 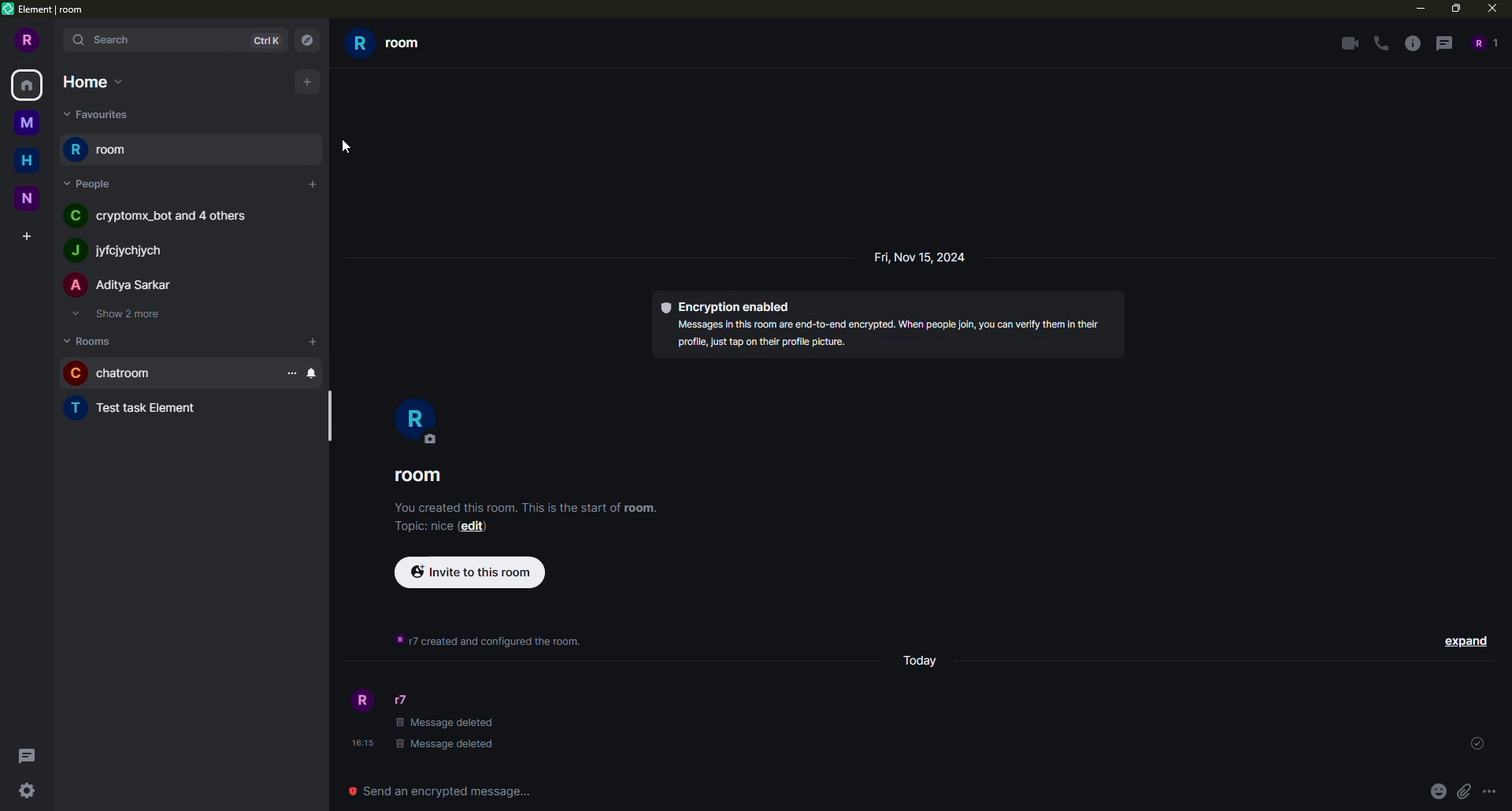 I want to click on scroll, so click(x=329, y=418).